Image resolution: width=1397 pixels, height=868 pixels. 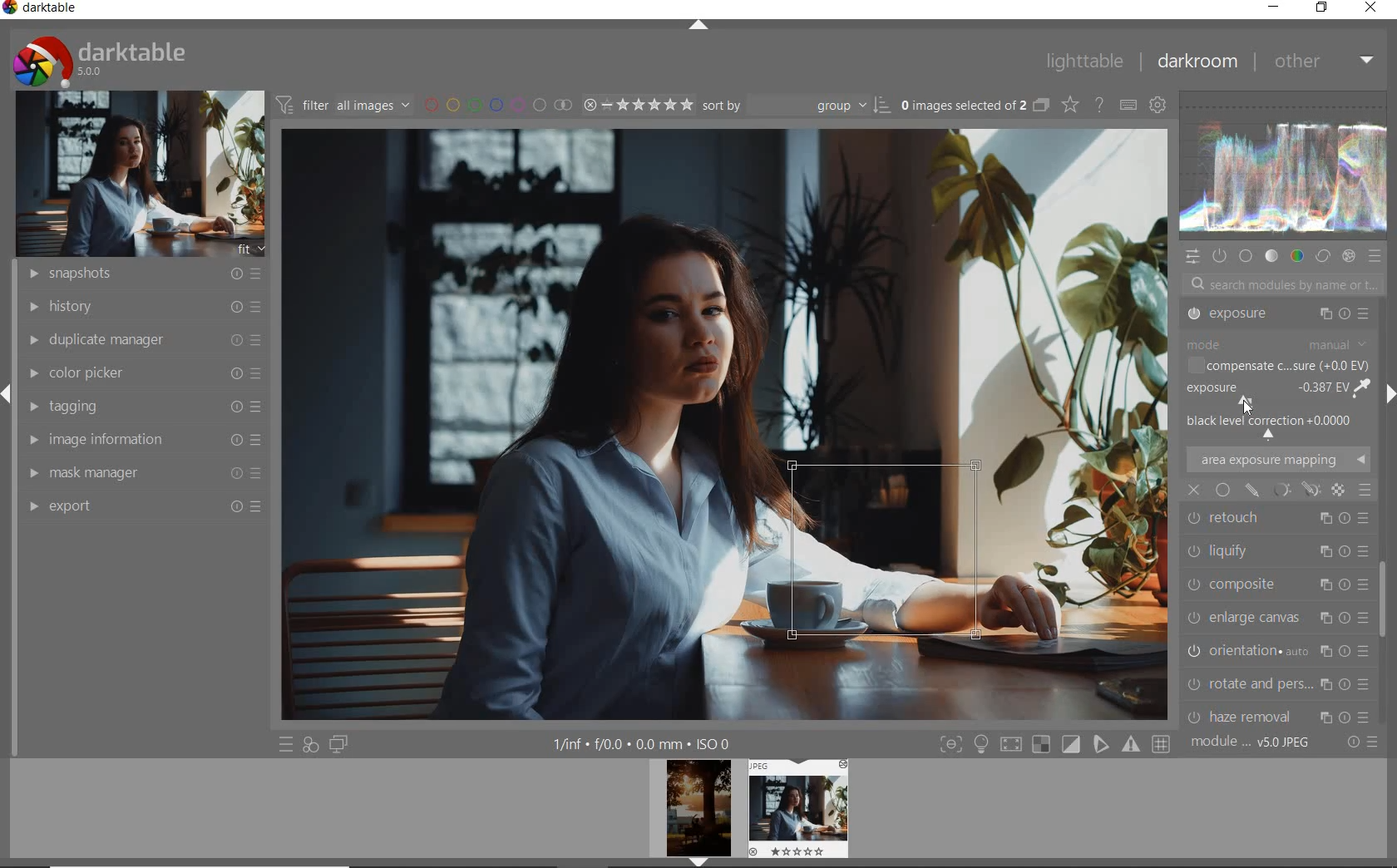 I want to click on RETOUCH, so click(x=1276, y=420).